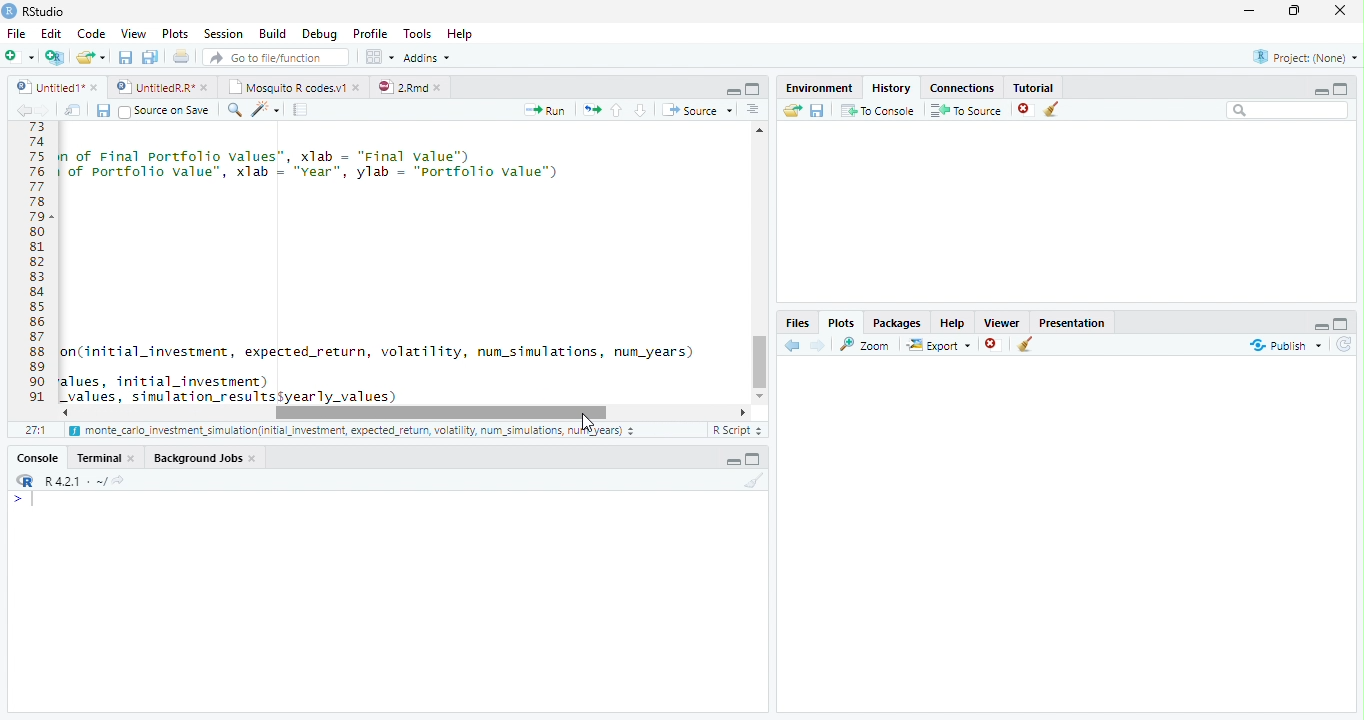 The image size is (1364, 720). Describe the element at coordinates (1343, 322) in the screenshot. I see `Full Height` at that location.